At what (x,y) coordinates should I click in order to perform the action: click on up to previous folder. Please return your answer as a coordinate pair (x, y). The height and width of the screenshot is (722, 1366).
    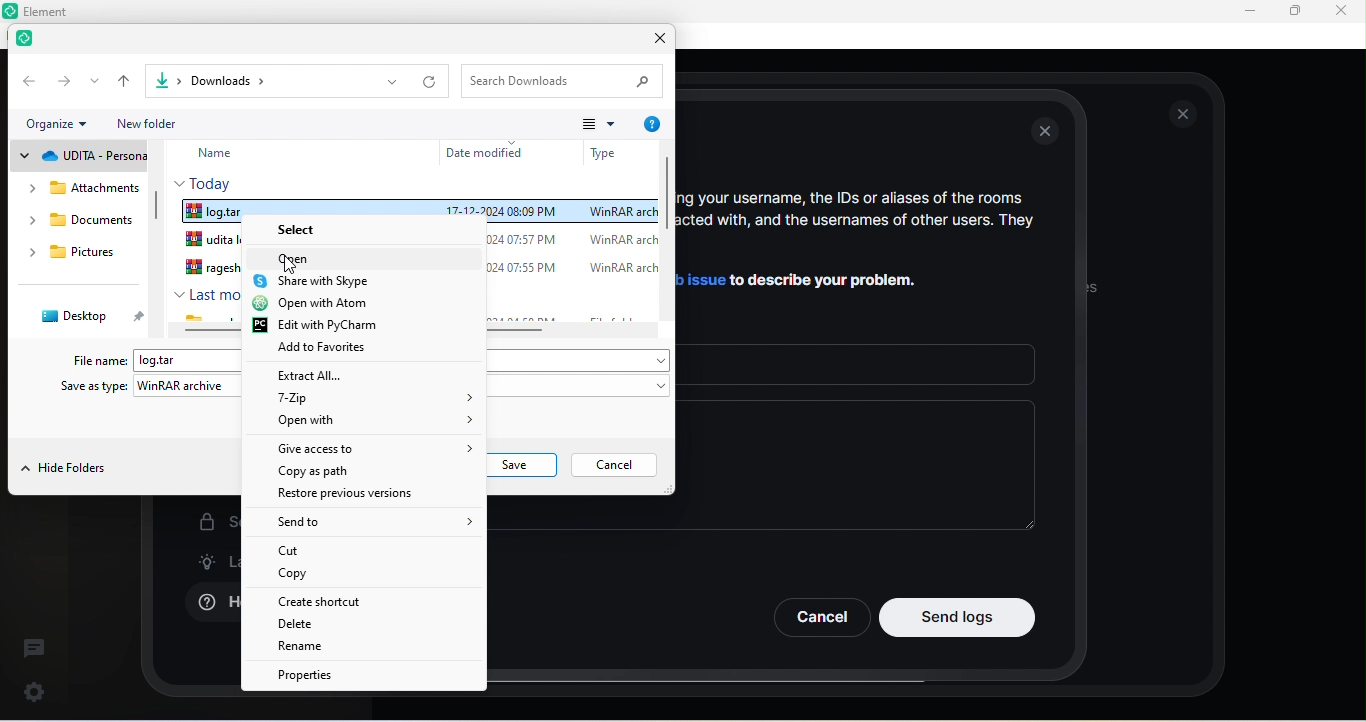
    Looking at the image, I should click on (126, 81).